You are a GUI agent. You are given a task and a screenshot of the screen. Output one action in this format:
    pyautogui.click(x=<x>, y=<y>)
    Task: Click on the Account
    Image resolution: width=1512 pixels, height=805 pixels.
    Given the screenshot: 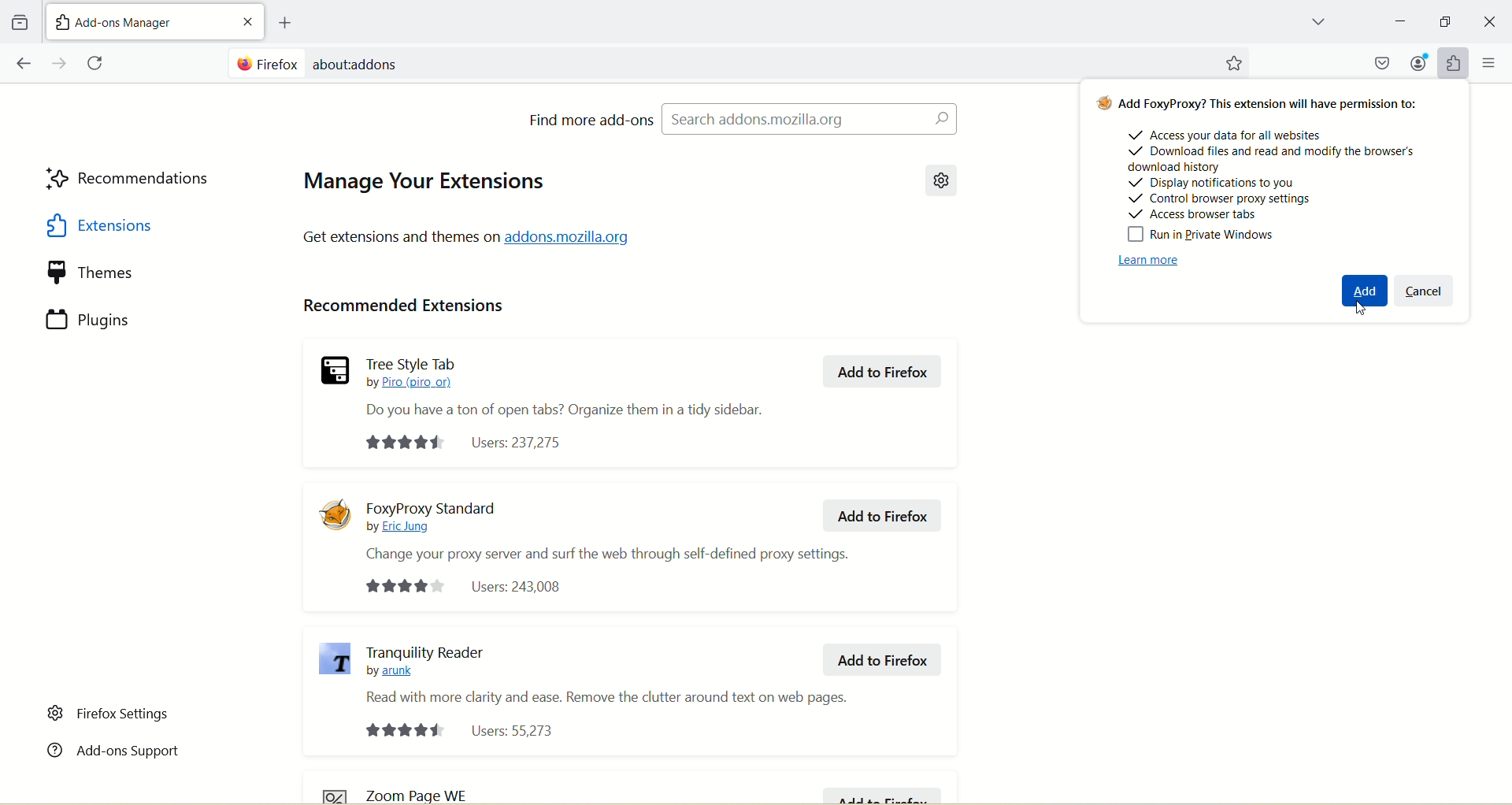 What is the action you would take?
    pyautogui.click(x=1418, y=62)
    